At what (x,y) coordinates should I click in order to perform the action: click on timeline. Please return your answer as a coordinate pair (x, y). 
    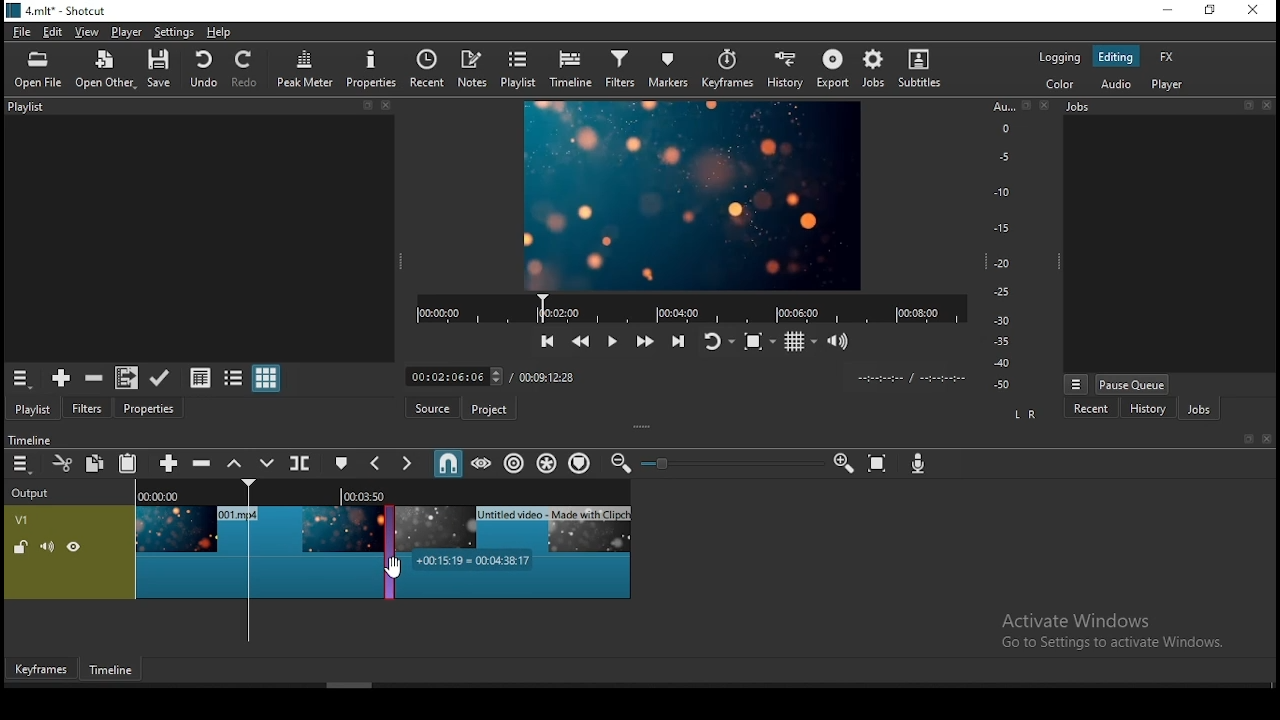
    Looking at the image, I should click on (570, 70).